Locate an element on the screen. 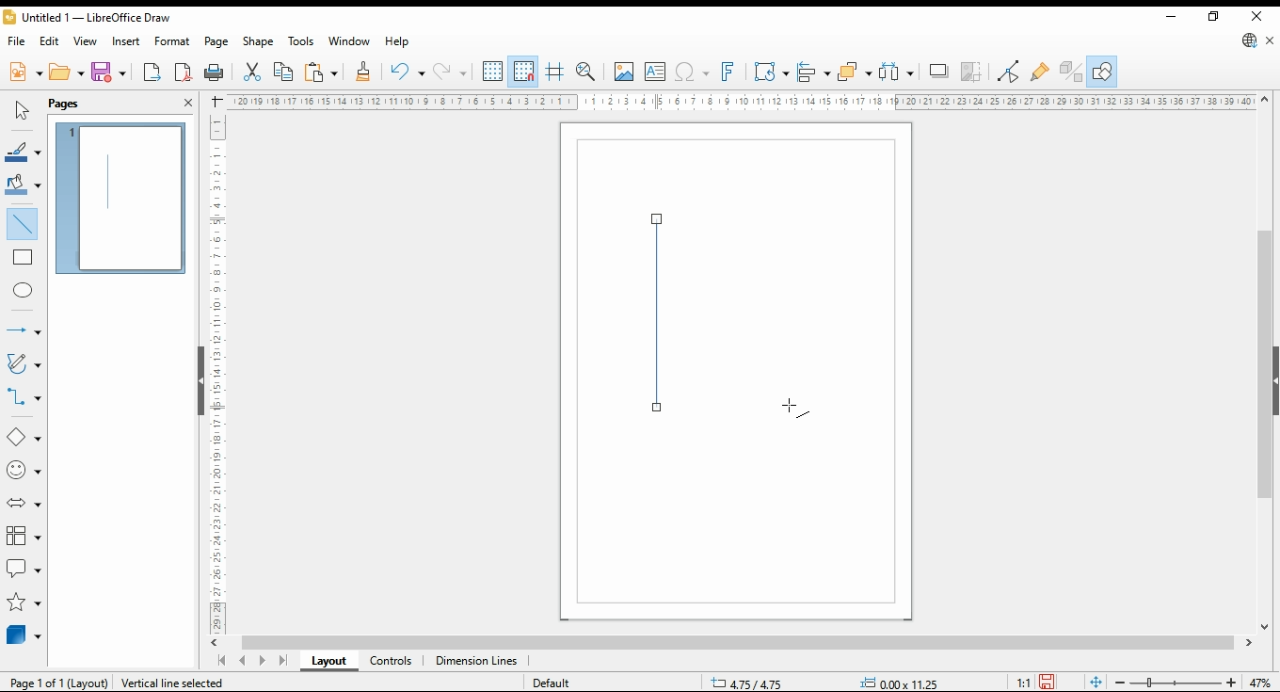 This screenshot has height=692, width=1280. increase zoom is located at coordinates (1235, 683).